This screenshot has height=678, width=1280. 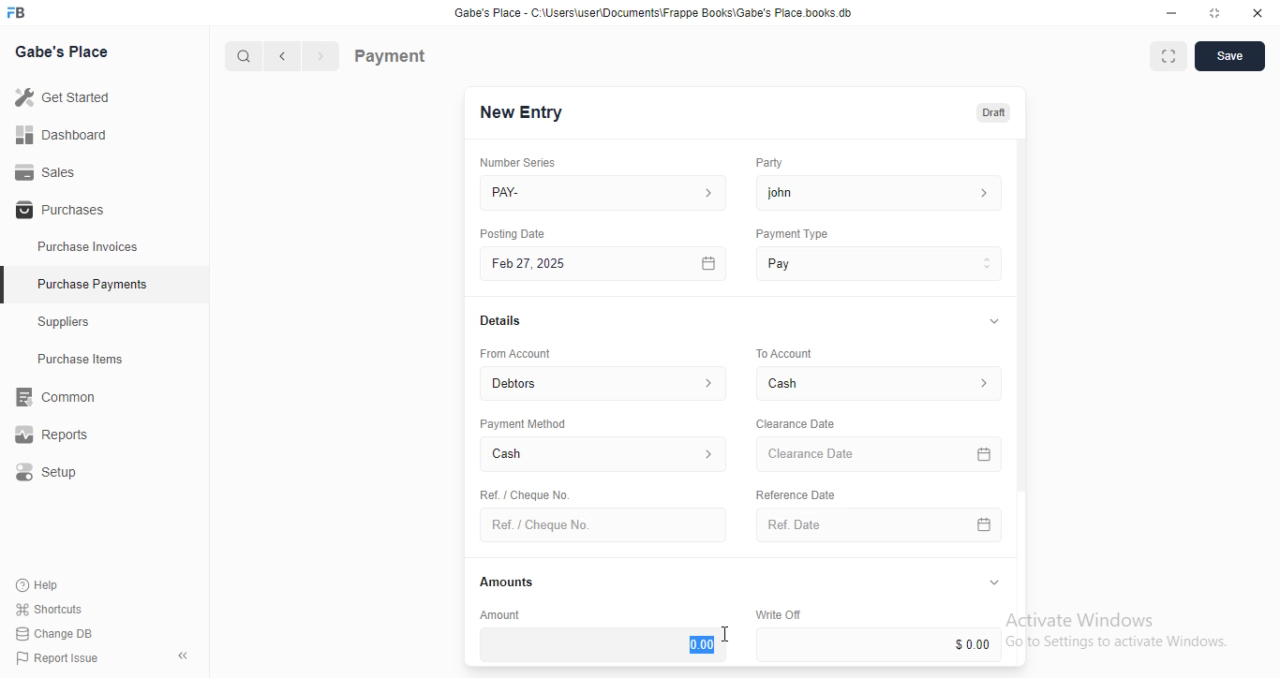 What do you see at coordinates (45, 171) in the screenshot?
I see `Sales` at bounding box center [45, 171].